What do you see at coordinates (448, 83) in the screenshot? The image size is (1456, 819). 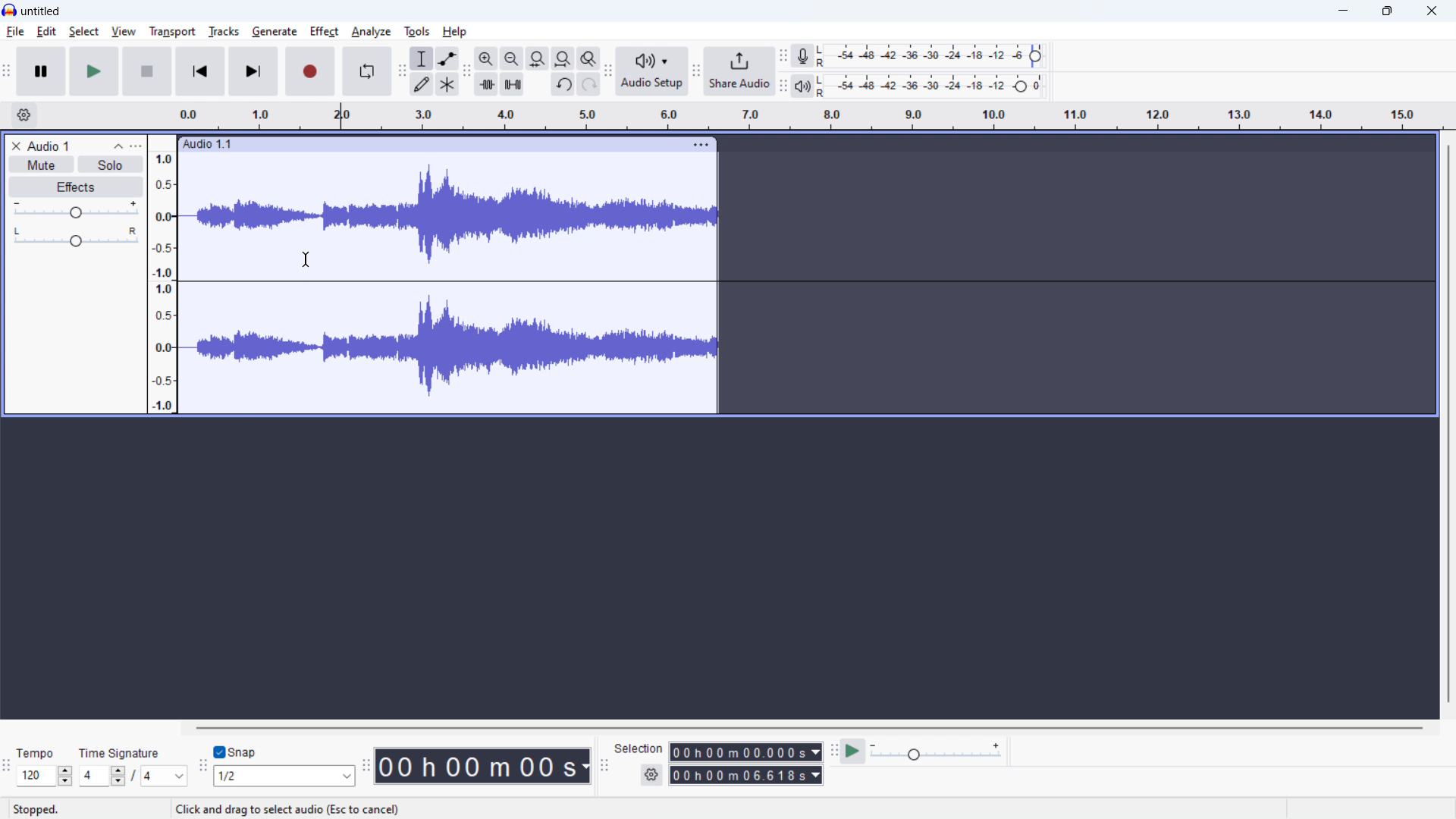 I see `multi tool` at bounding box center [448, 83].